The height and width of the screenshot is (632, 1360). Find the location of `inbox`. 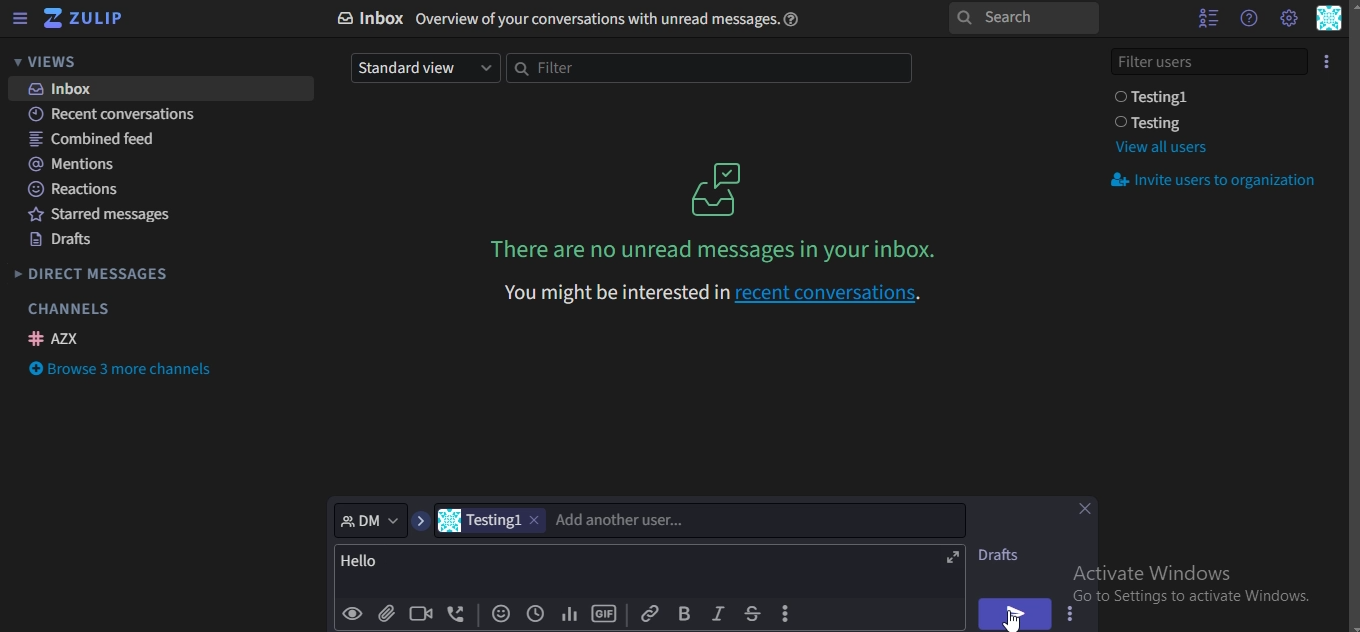

inbox is located at coordinates (577, 19).